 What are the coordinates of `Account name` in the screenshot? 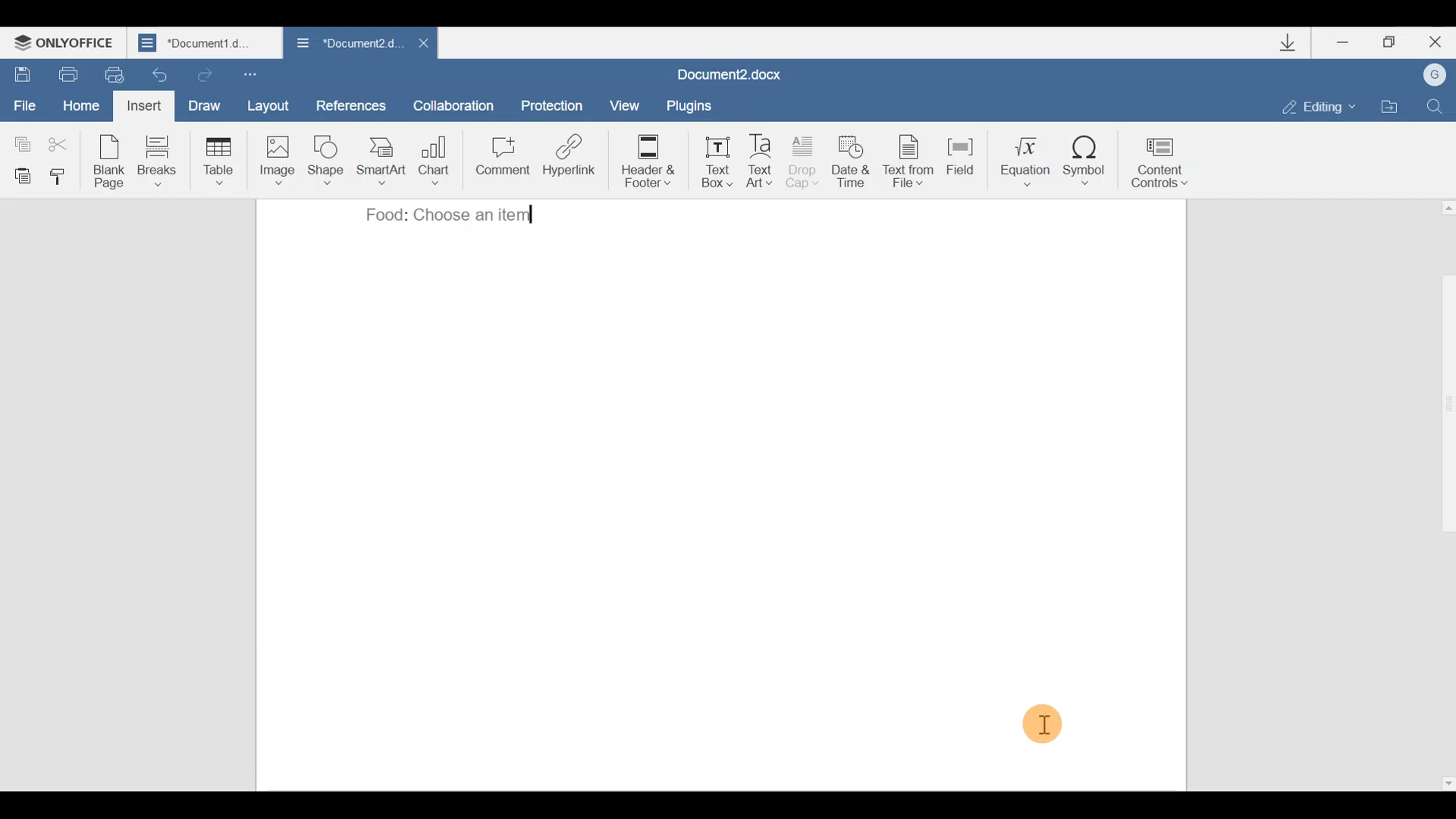 It's located at (1437, 75).